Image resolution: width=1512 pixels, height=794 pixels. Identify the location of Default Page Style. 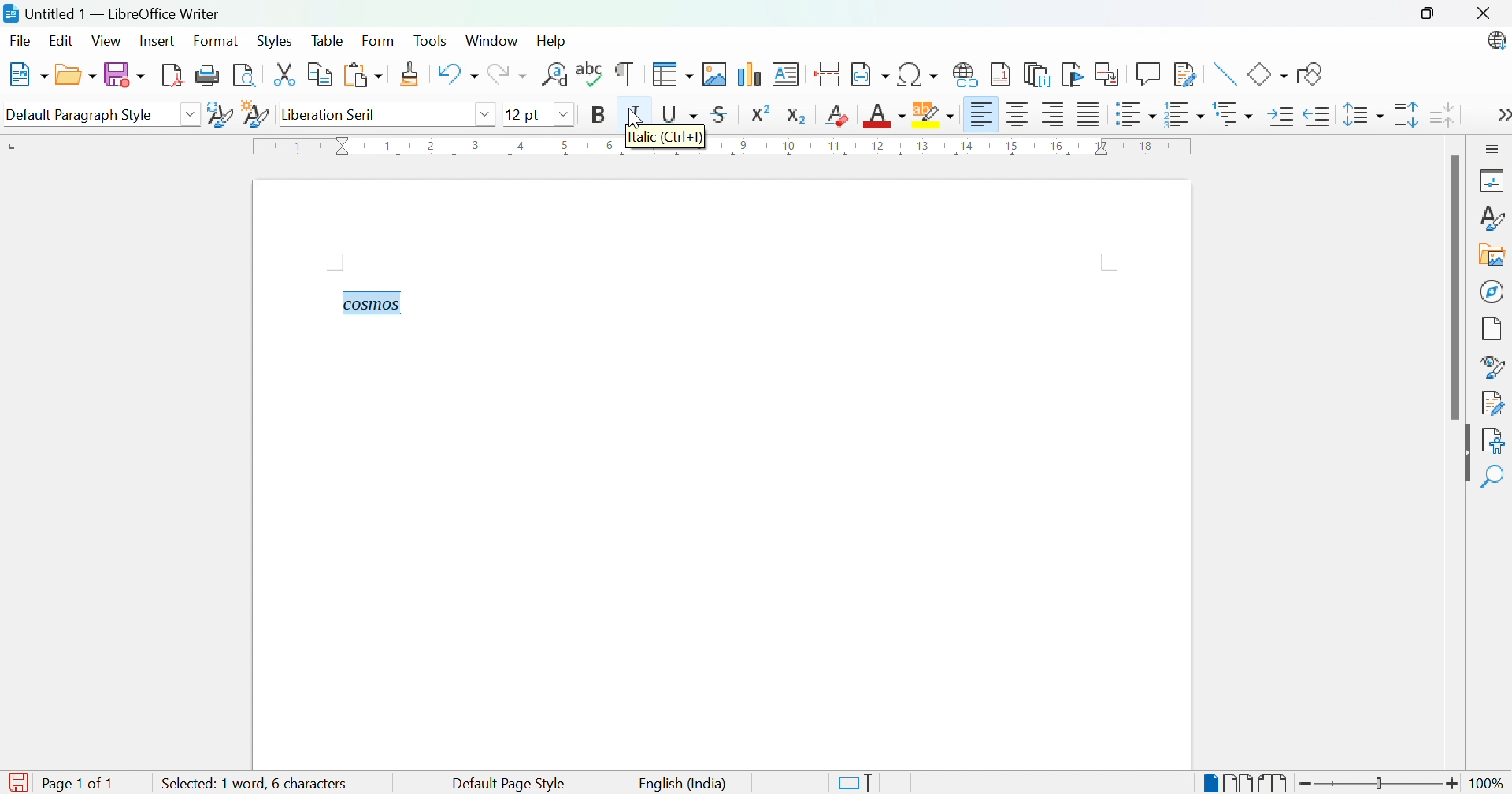
(513, 784).